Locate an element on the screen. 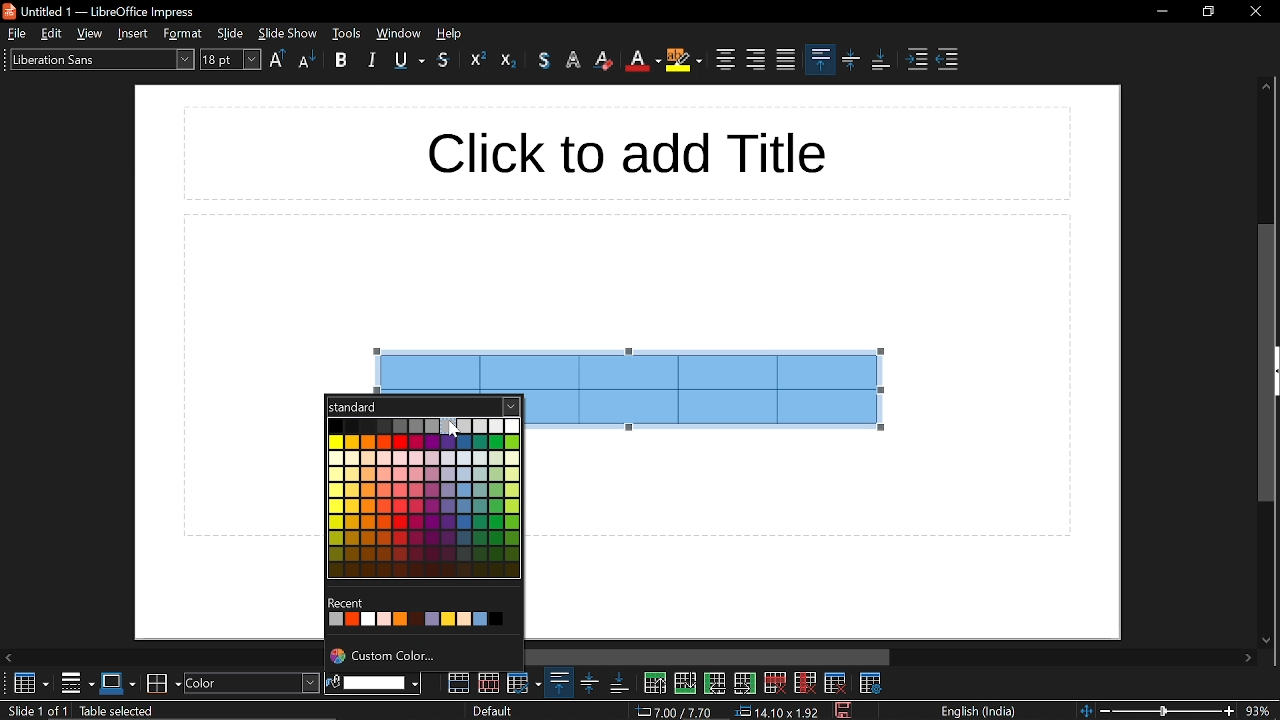 The image size is (1280, 720). style is located at coordinates (182, 34).